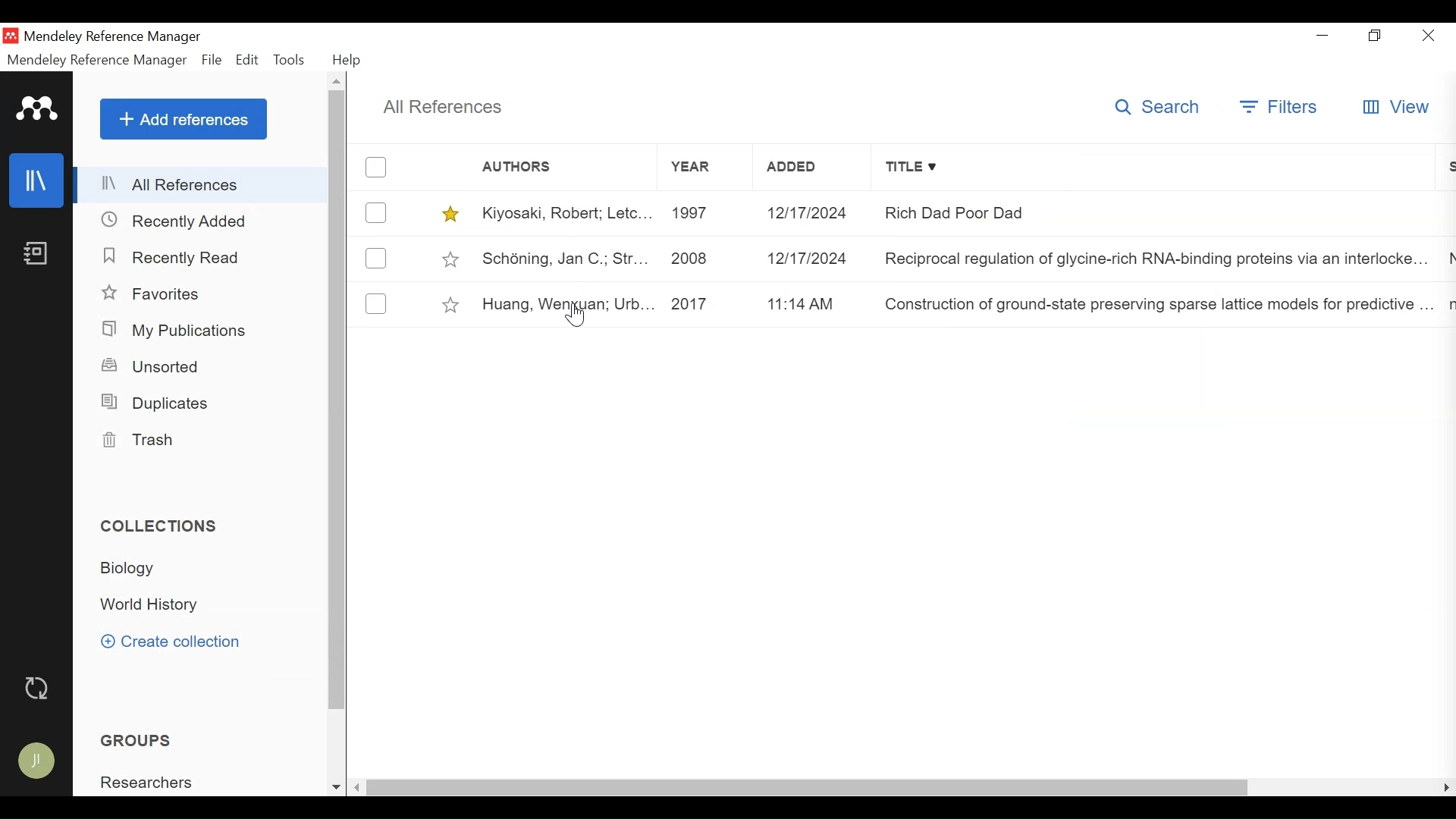 This screenshot has height=819, width=1456. What do you see at coordinates (545, 167) in the screenshot?
I see `Author` at bounding box center [545, 167].